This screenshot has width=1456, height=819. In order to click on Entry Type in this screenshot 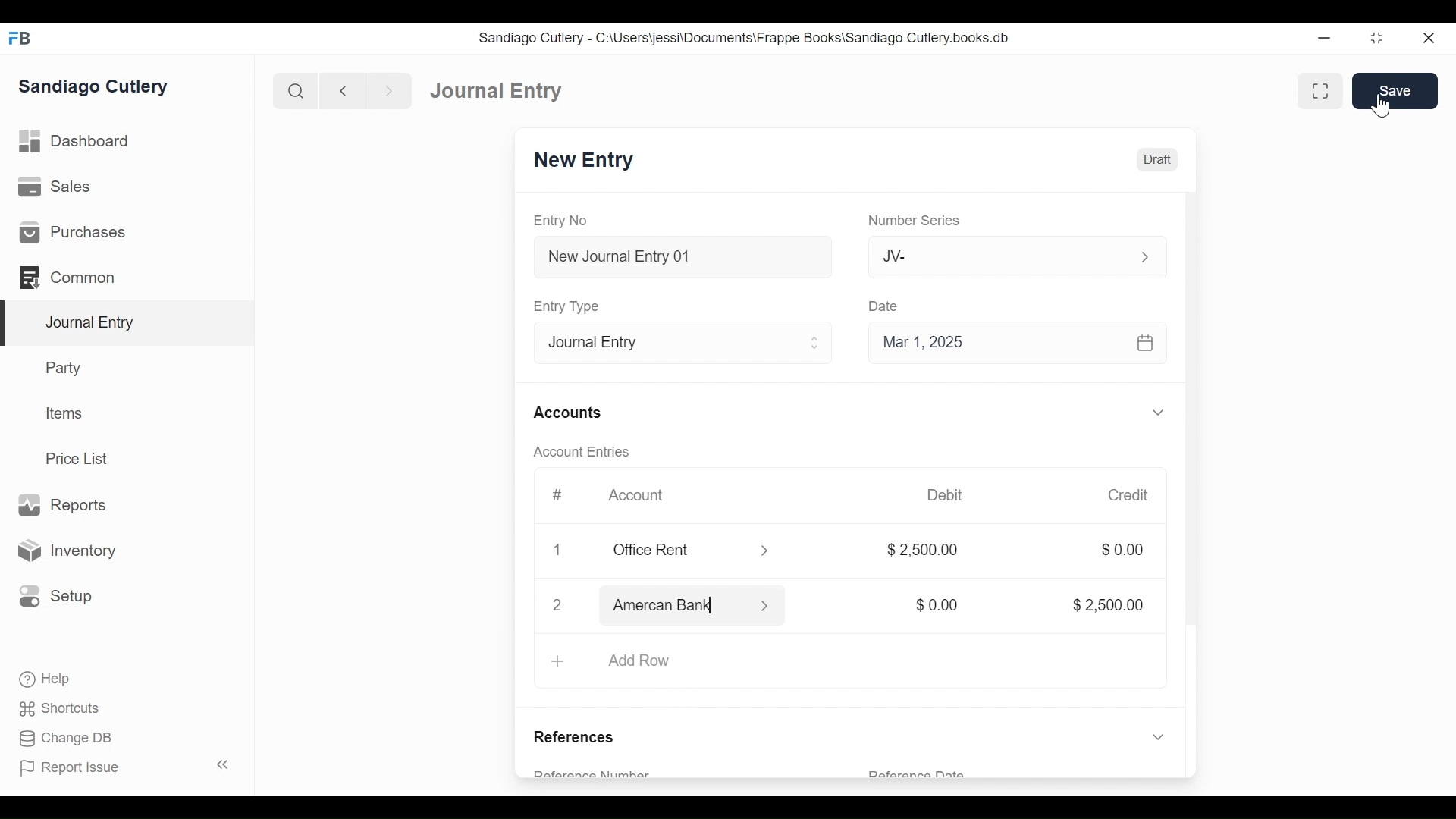, I will do `click(678, 340)`.